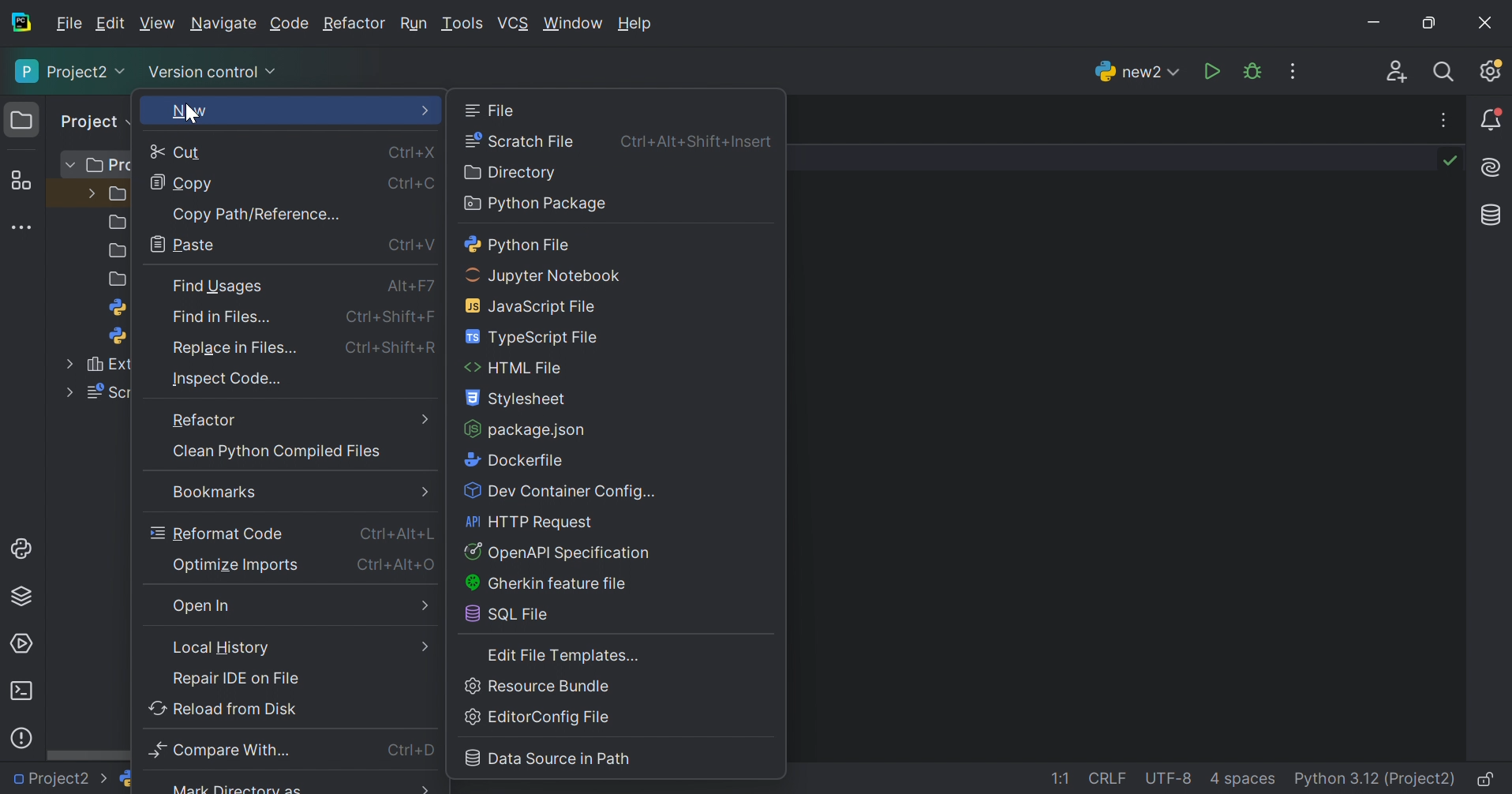 The image size is (1512, 794). I want to click on Window, so click(572, 24).